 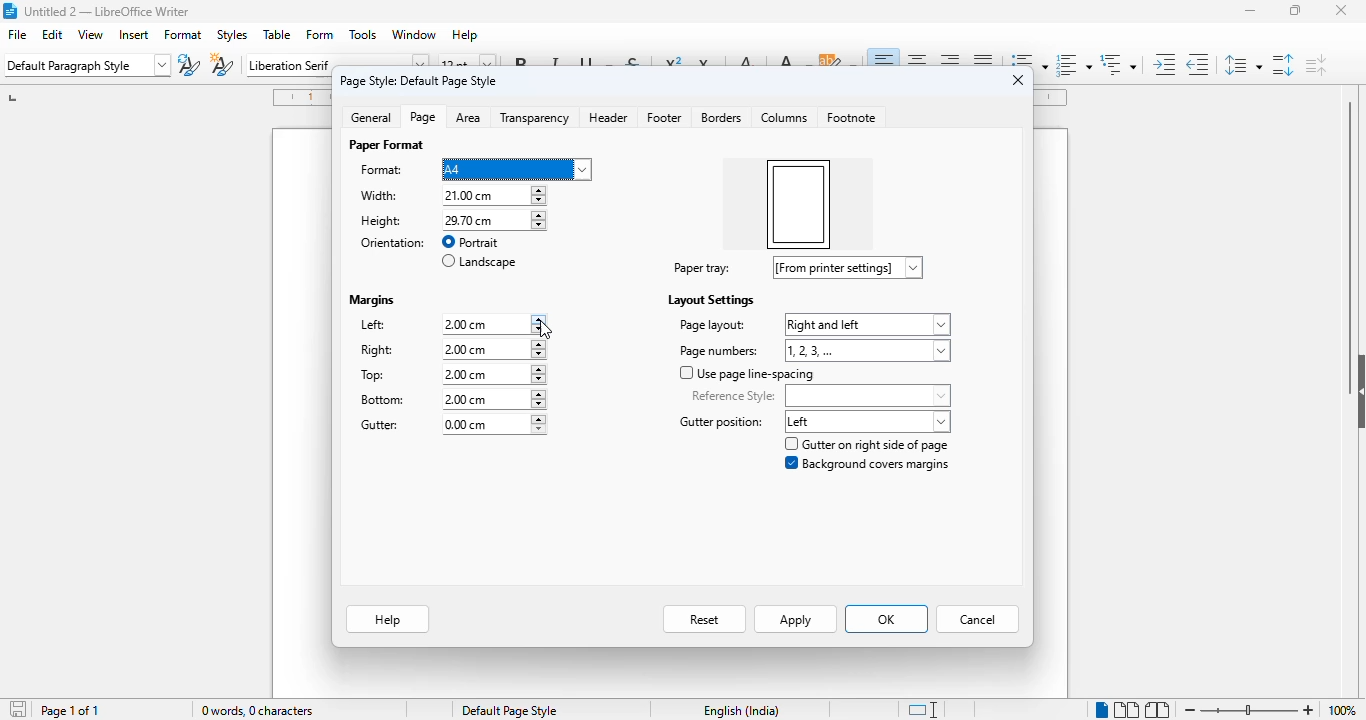 I want to click on increment or decrement width, so click(x=538, y=196).